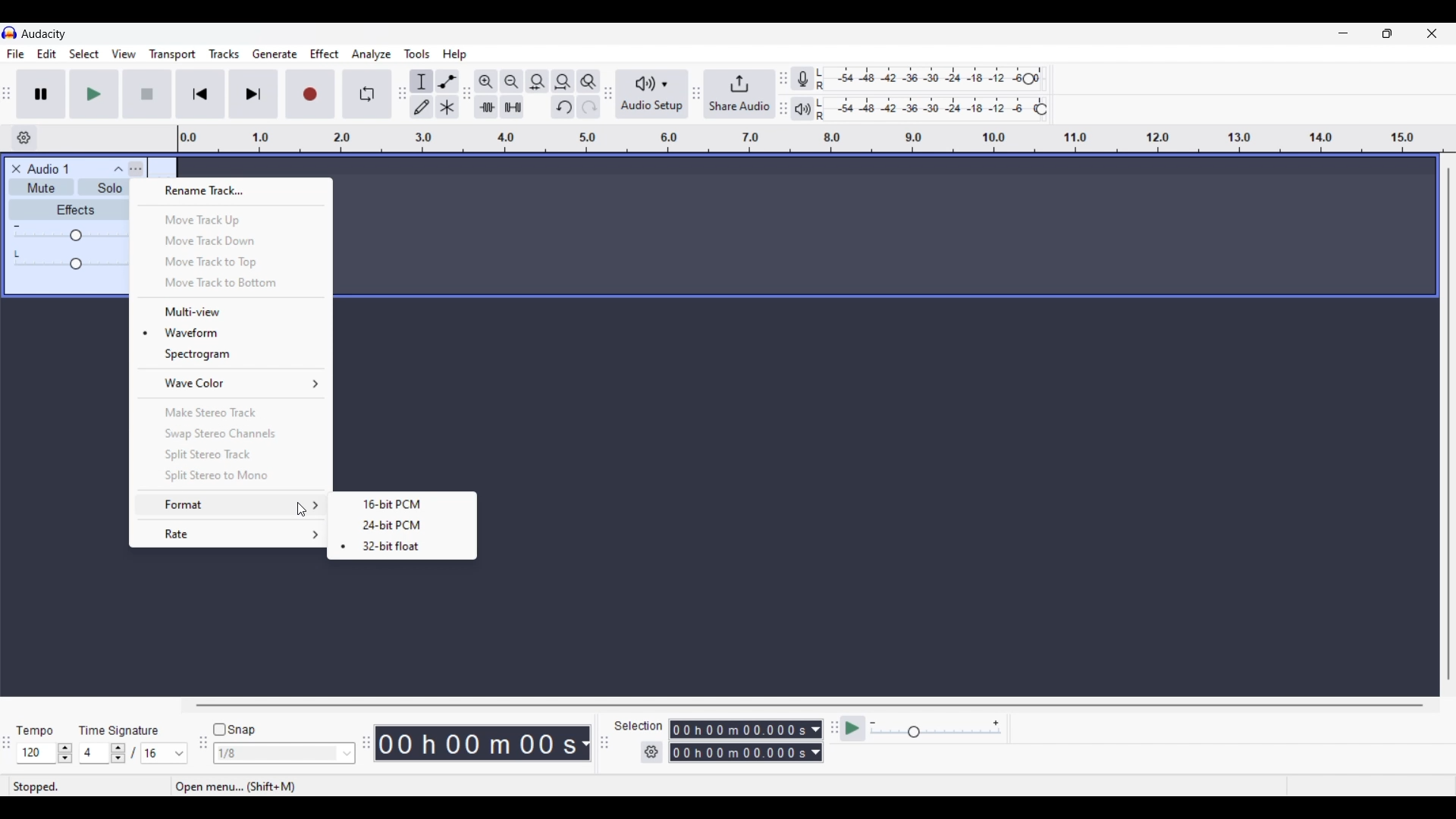 The height and width of the screenshot is (819, 1456). I want to click on Record/Record new track, so click(311, 93).